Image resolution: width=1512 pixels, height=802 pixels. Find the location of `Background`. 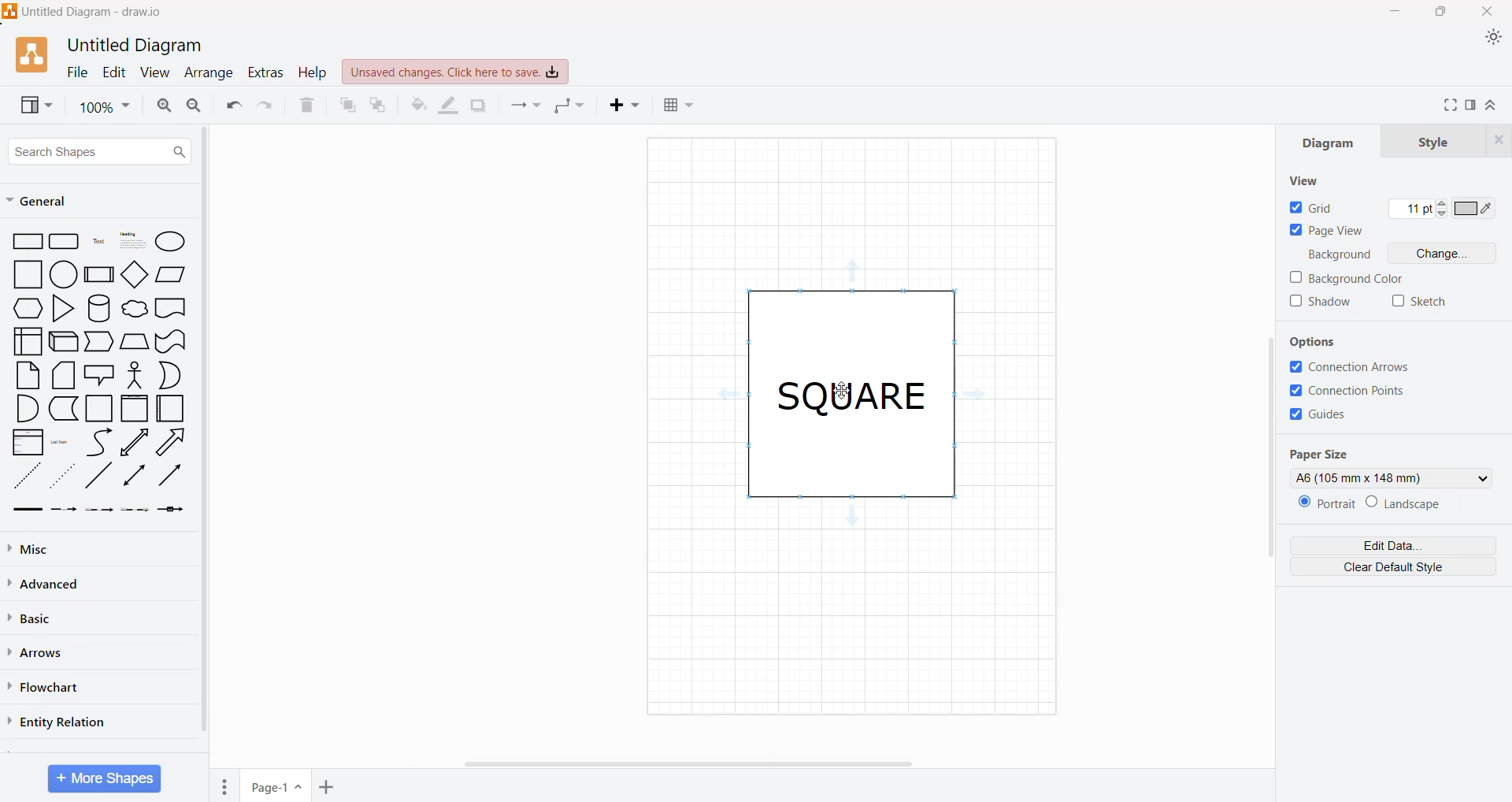

Background is located at coordinates (1341, 255).